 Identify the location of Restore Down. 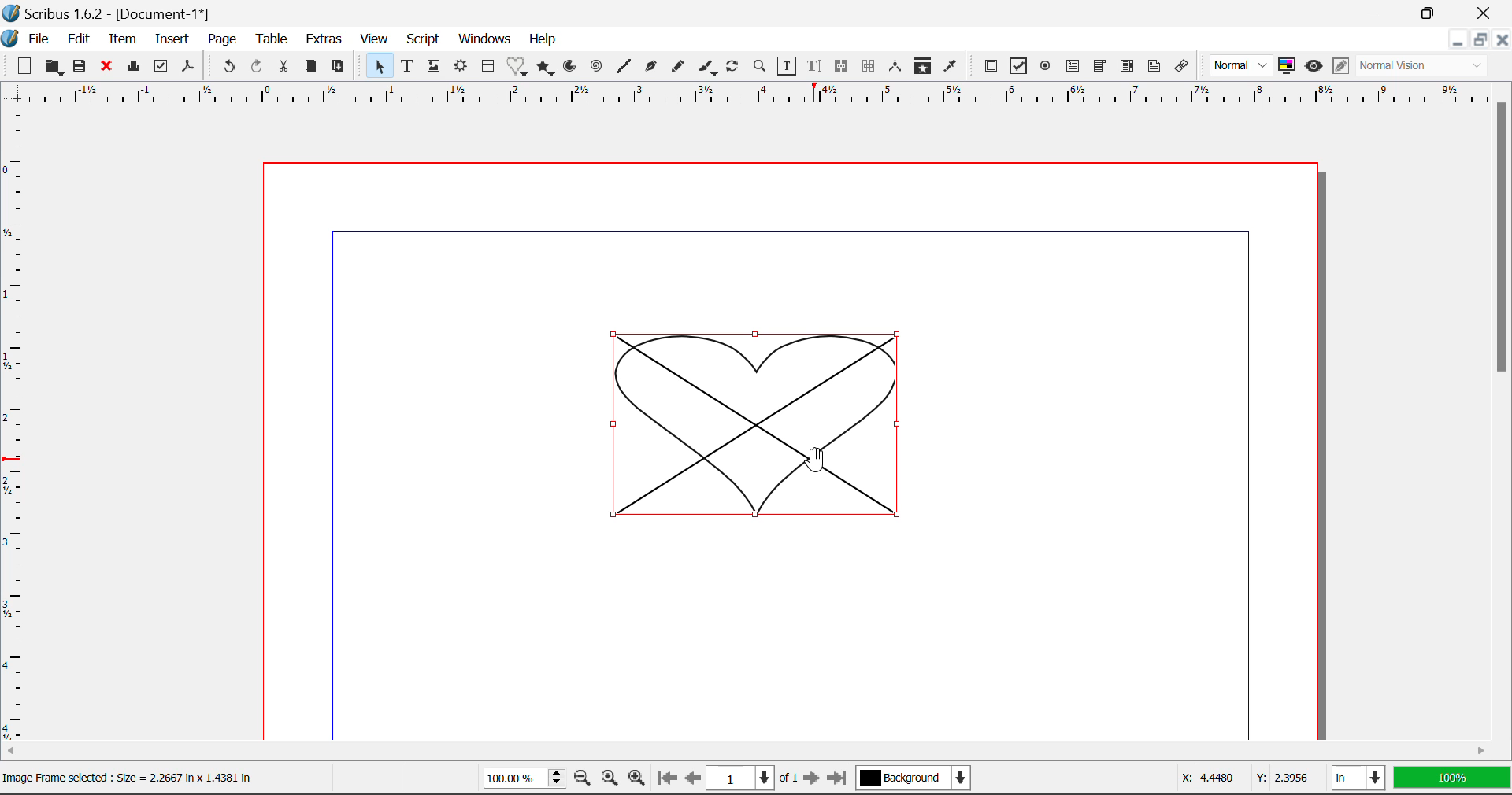
(1459, 42).